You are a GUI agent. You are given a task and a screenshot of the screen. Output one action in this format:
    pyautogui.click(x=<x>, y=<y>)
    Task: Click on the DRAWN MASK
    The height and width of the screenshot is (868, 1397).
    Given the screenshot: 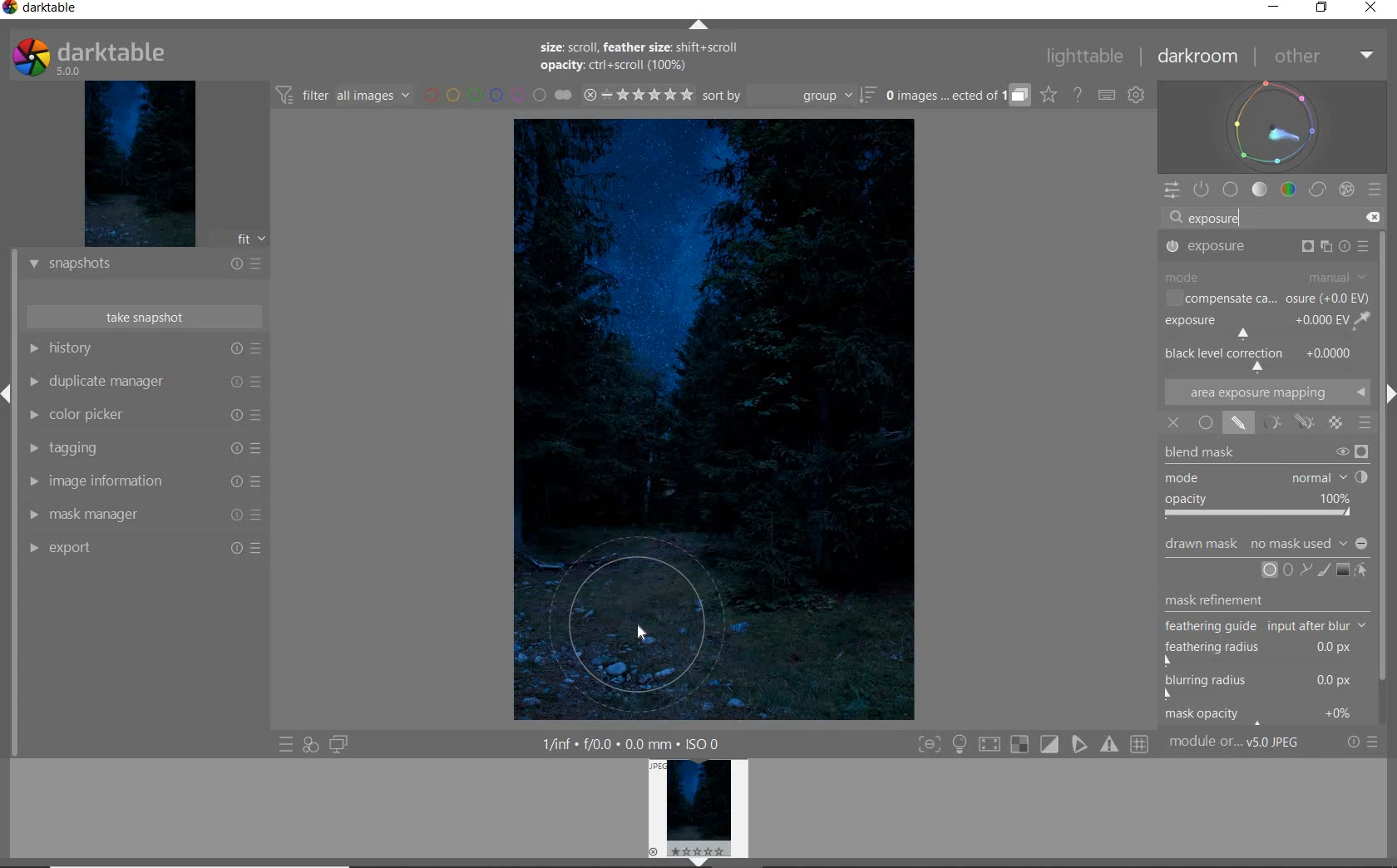 What is the action you would take?
    pyautogui.click(x=1264, y=544)
    